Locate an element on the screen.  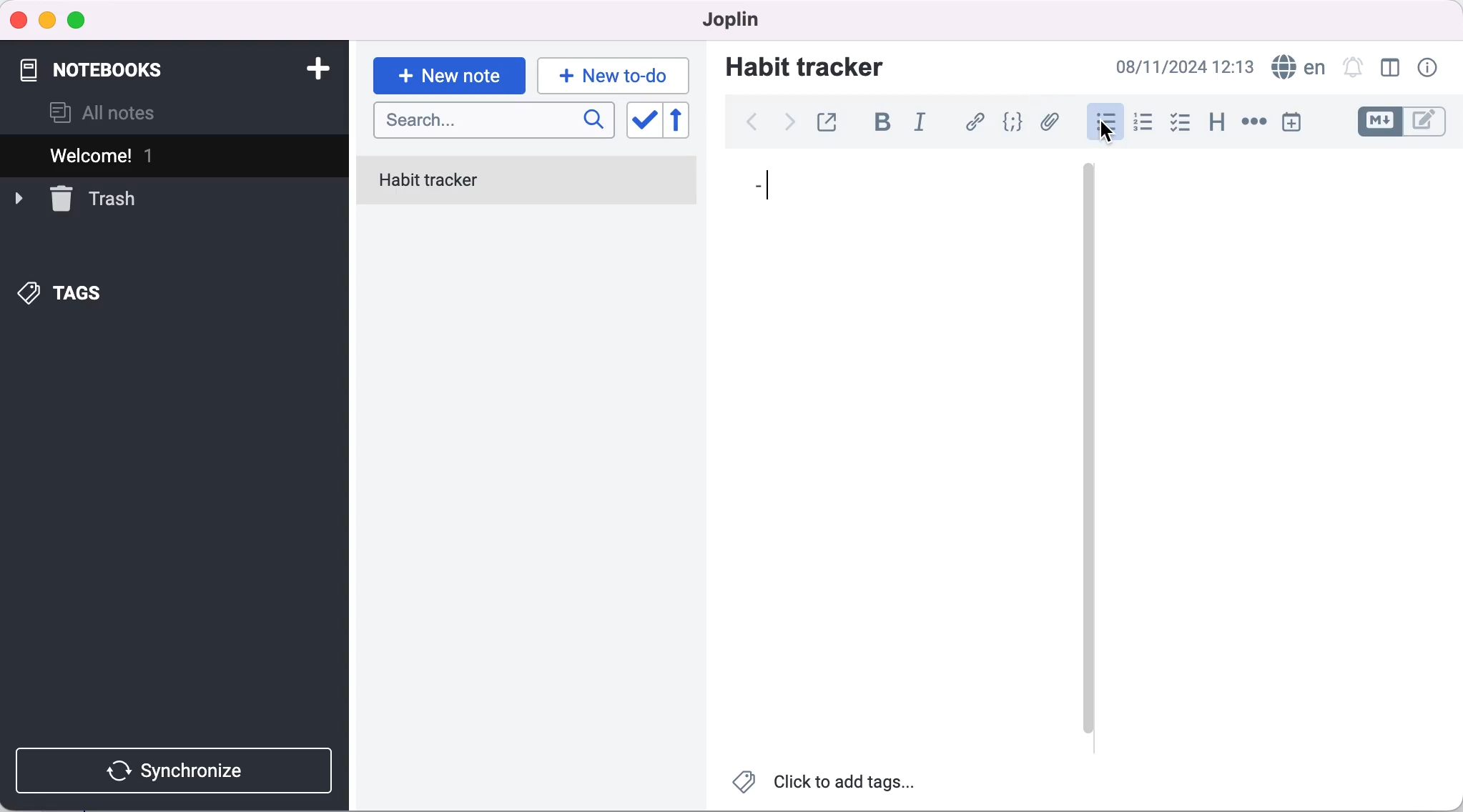
toggle editors is located at coordinates (1404, 122).